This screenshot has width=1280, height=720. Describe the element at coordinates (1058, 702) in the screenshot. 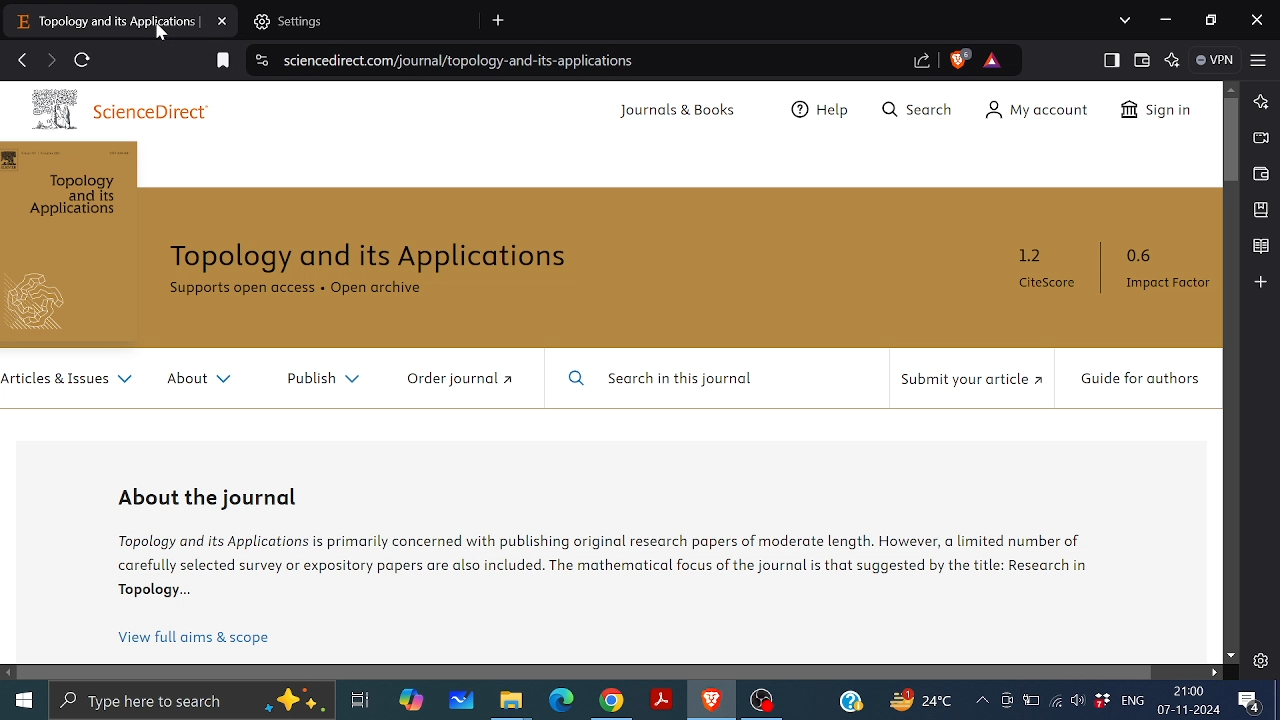

I see `Internet access` at that location.